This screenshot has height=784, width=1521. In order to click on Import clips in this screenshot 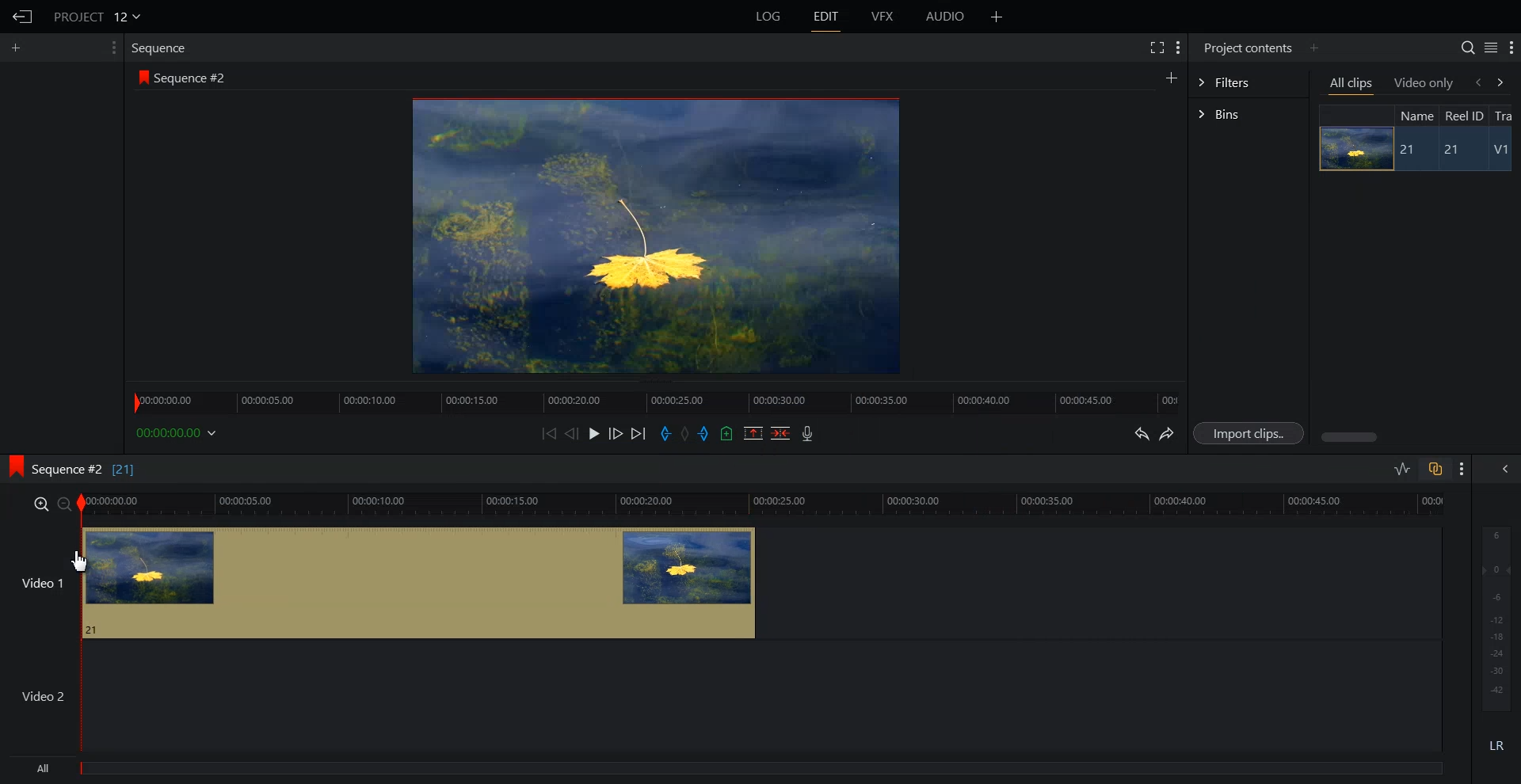, I will do `click(1252, 434)`.